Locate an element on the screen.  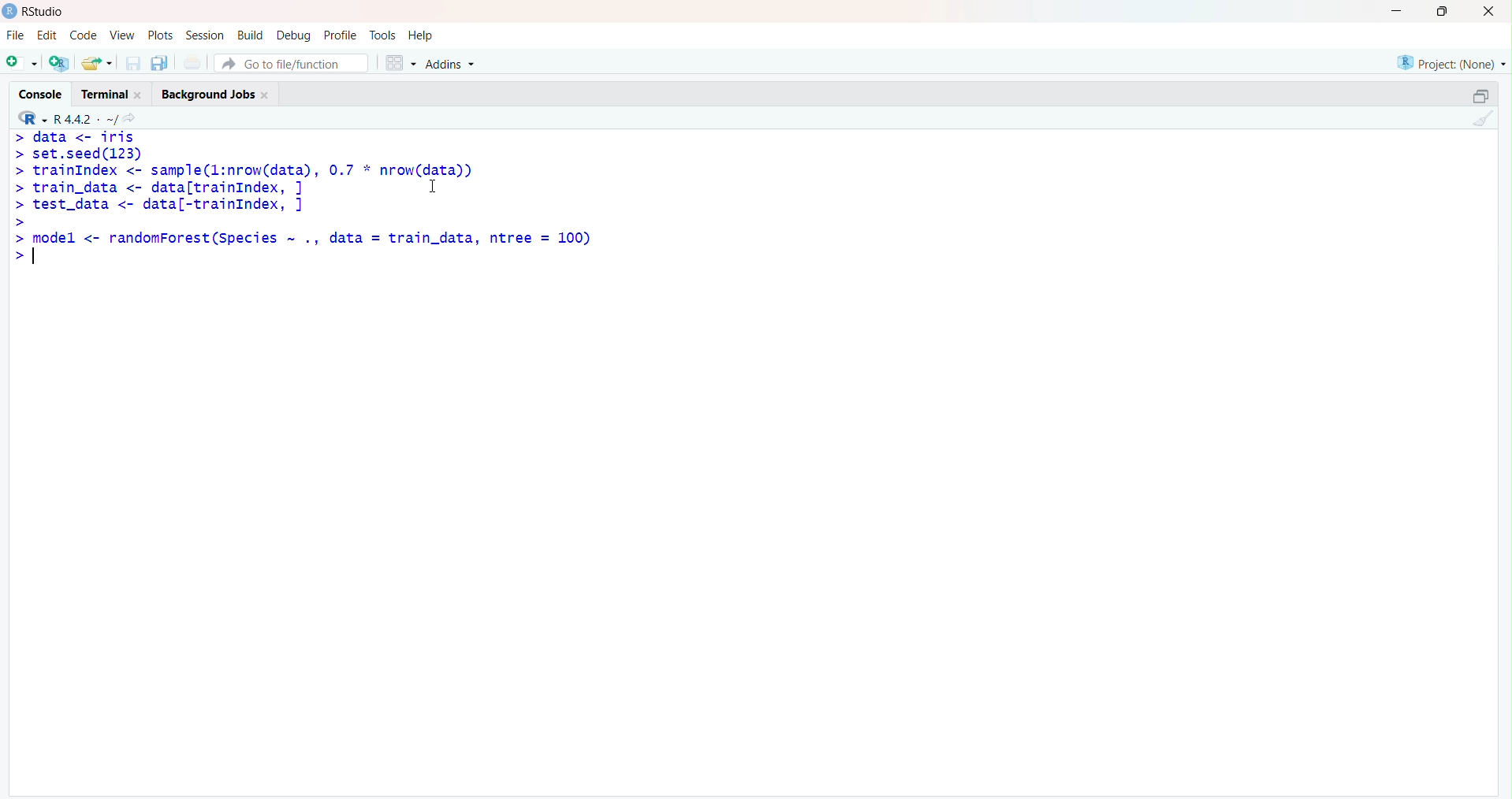
Edit is located at coordinates (47, 33).